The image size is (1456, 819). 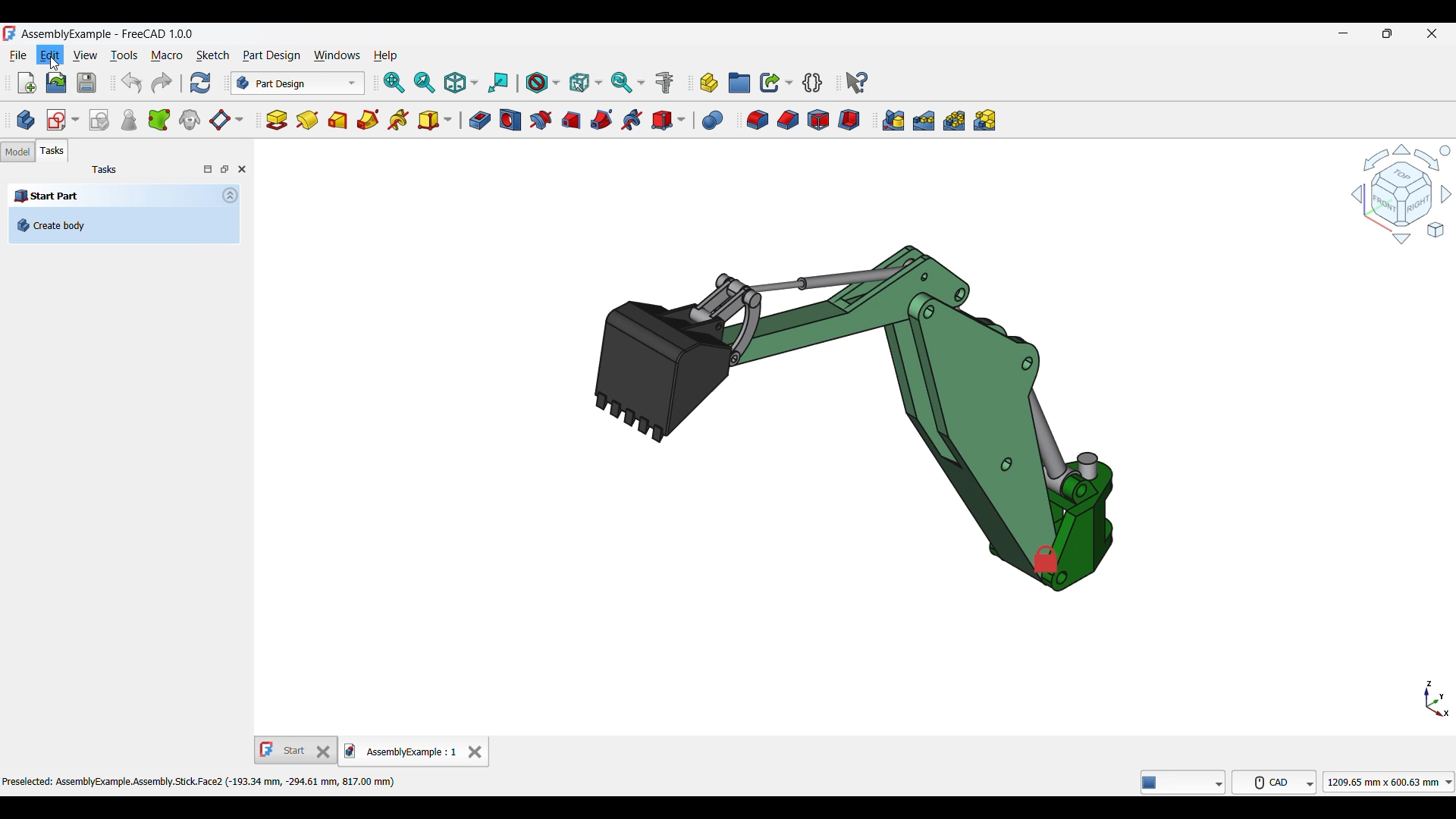 What do you see at coordinates (664, 83) in the screenshot?
I see `Measure` at bounding box center [664, 83].